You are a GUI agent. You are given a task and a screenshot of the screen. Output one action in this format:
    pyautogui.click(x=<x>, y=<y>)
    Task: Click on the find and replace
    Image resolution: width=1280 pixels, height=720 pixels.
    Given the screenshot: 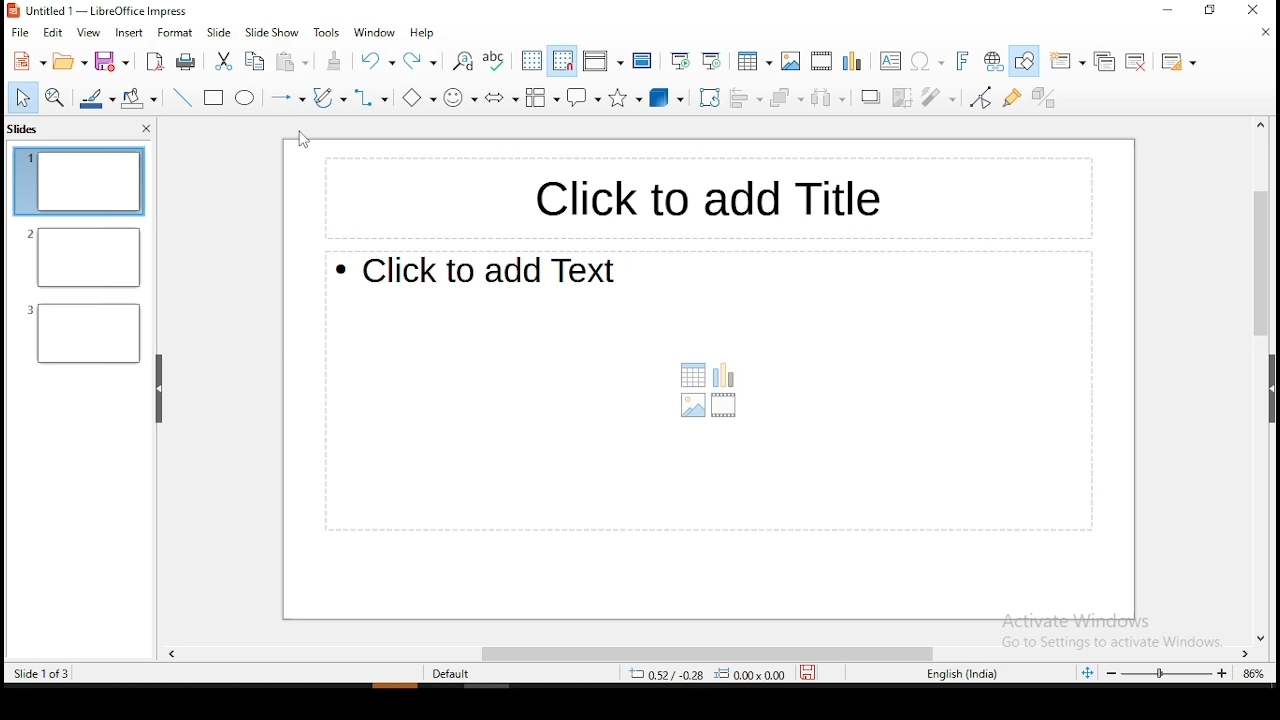 What is the action you would take?
    pyautogui.click(x=464, y=64)
    